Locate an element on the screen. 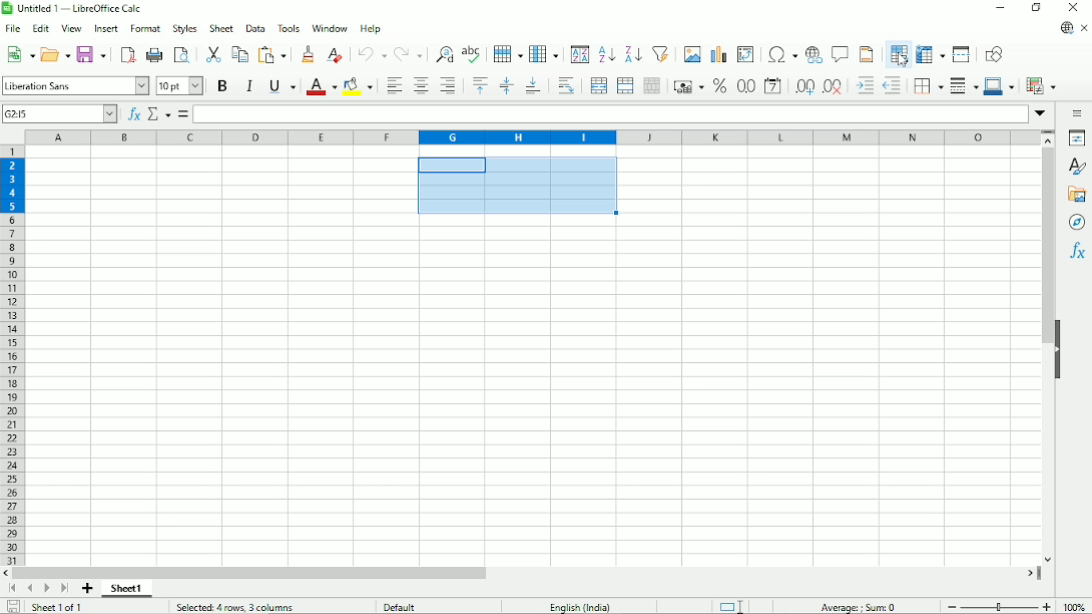 The height and width of the screenshot is (614, 1092). Export directly as PDF is located at coordinates (128, 55).